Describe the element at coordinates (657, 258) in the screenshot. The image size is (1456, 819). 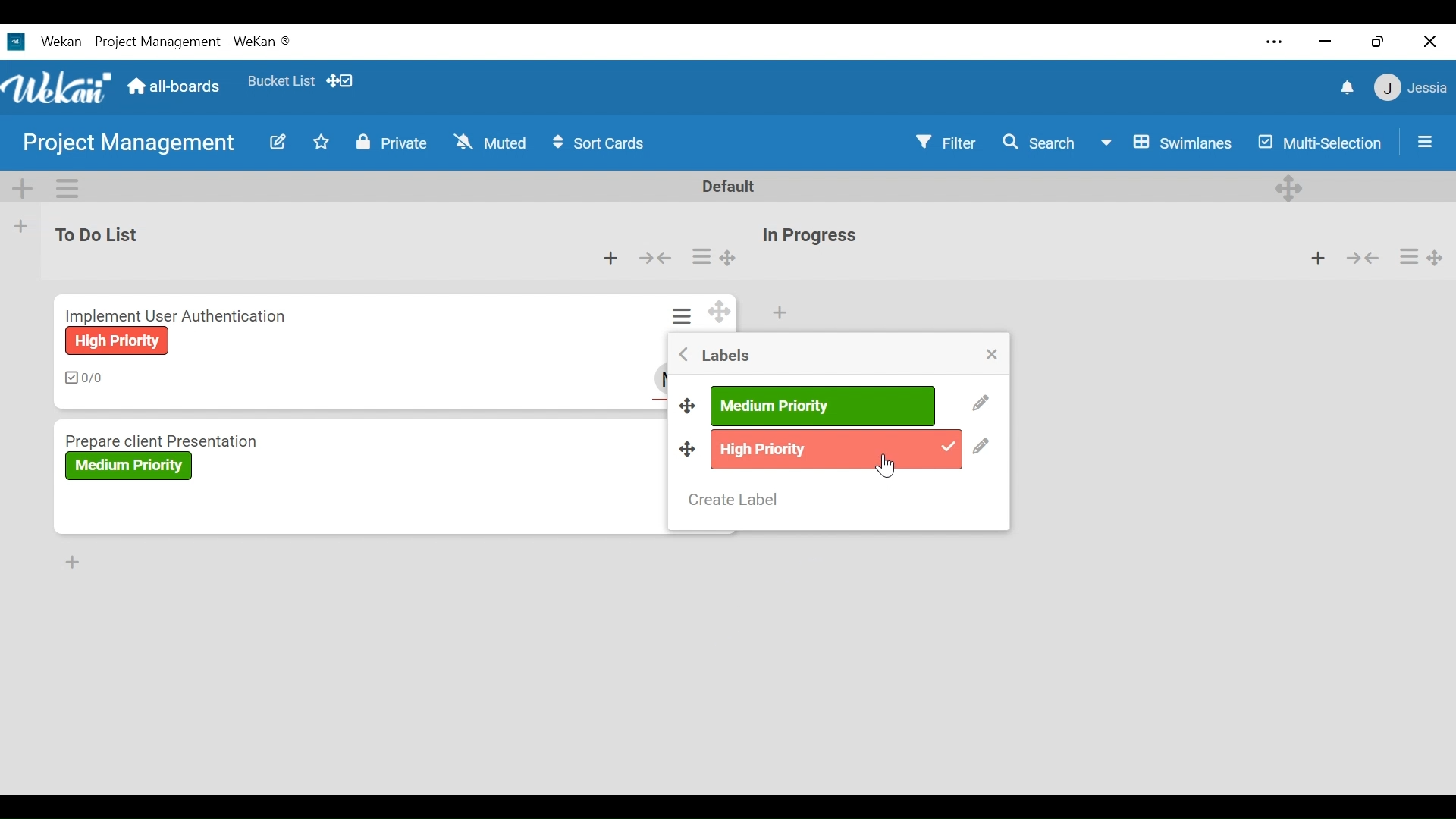
I see `Collapse` at that location.